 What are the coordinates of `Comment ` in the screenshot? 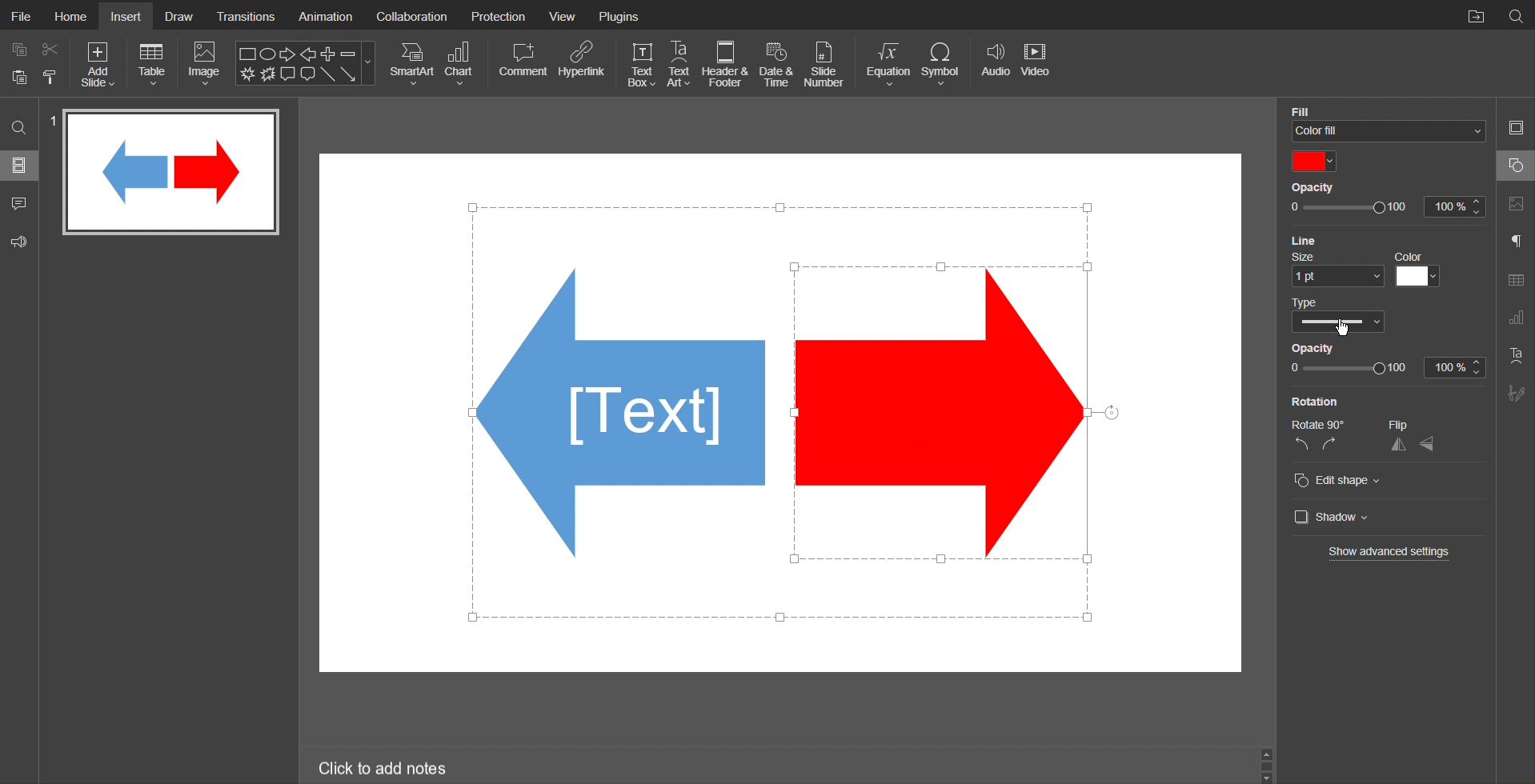 It's located at (522, 64).